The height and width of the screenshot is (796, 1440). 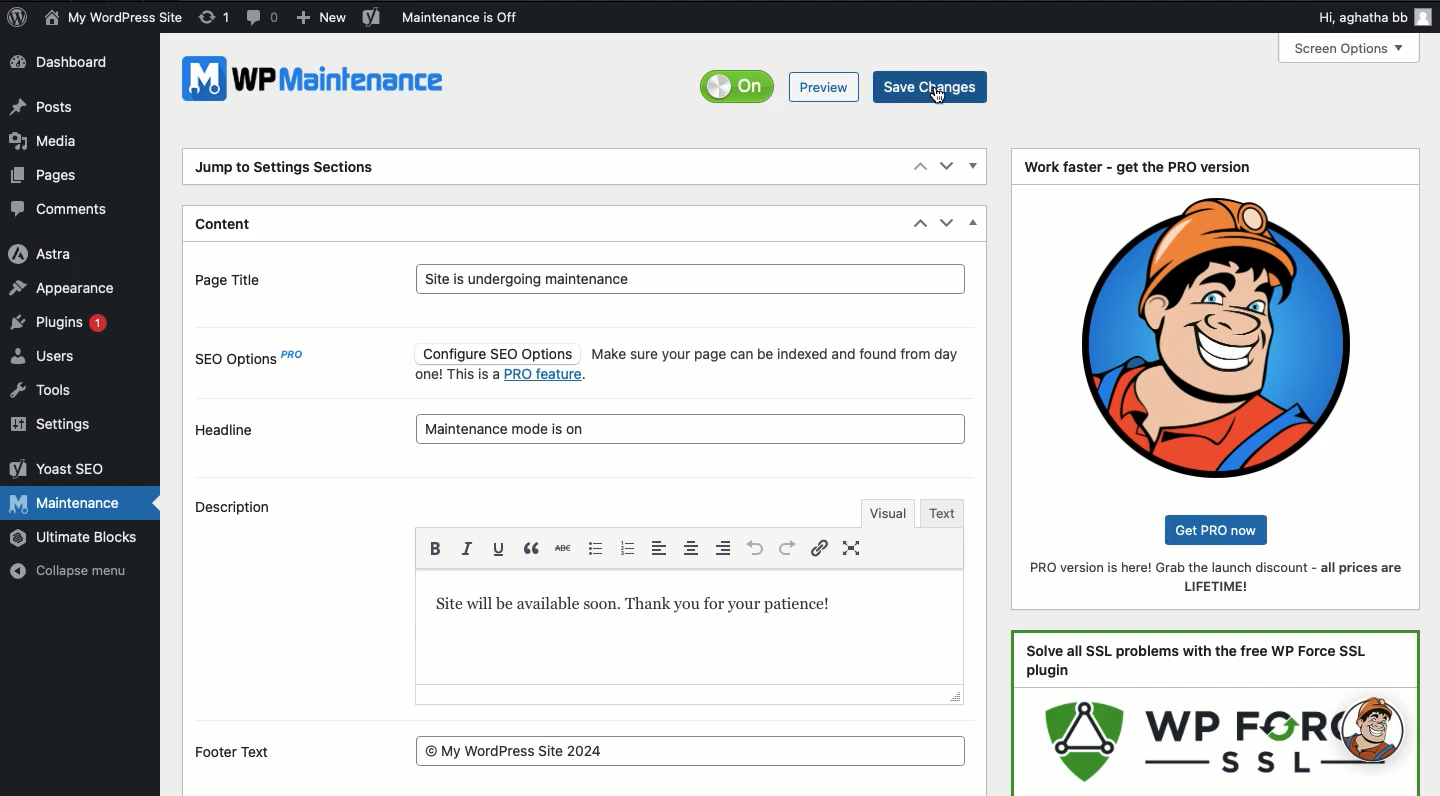 What do you see at coordinates (115, 17) in the screenshot?
I see `Name` at bounding box center [115, 17].